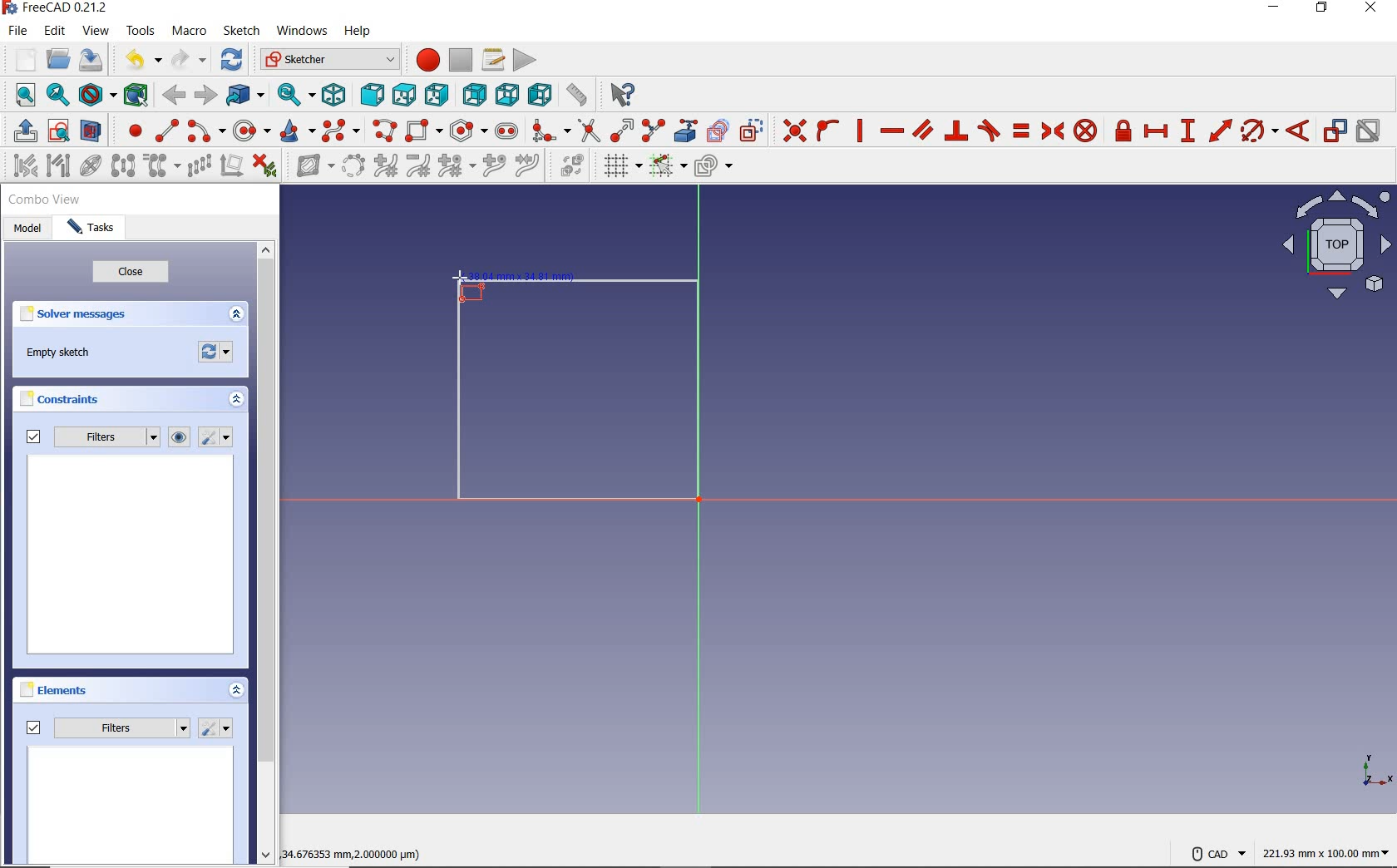 The image size is (1397, 868). I want to click on constraints, so click(64, 399).